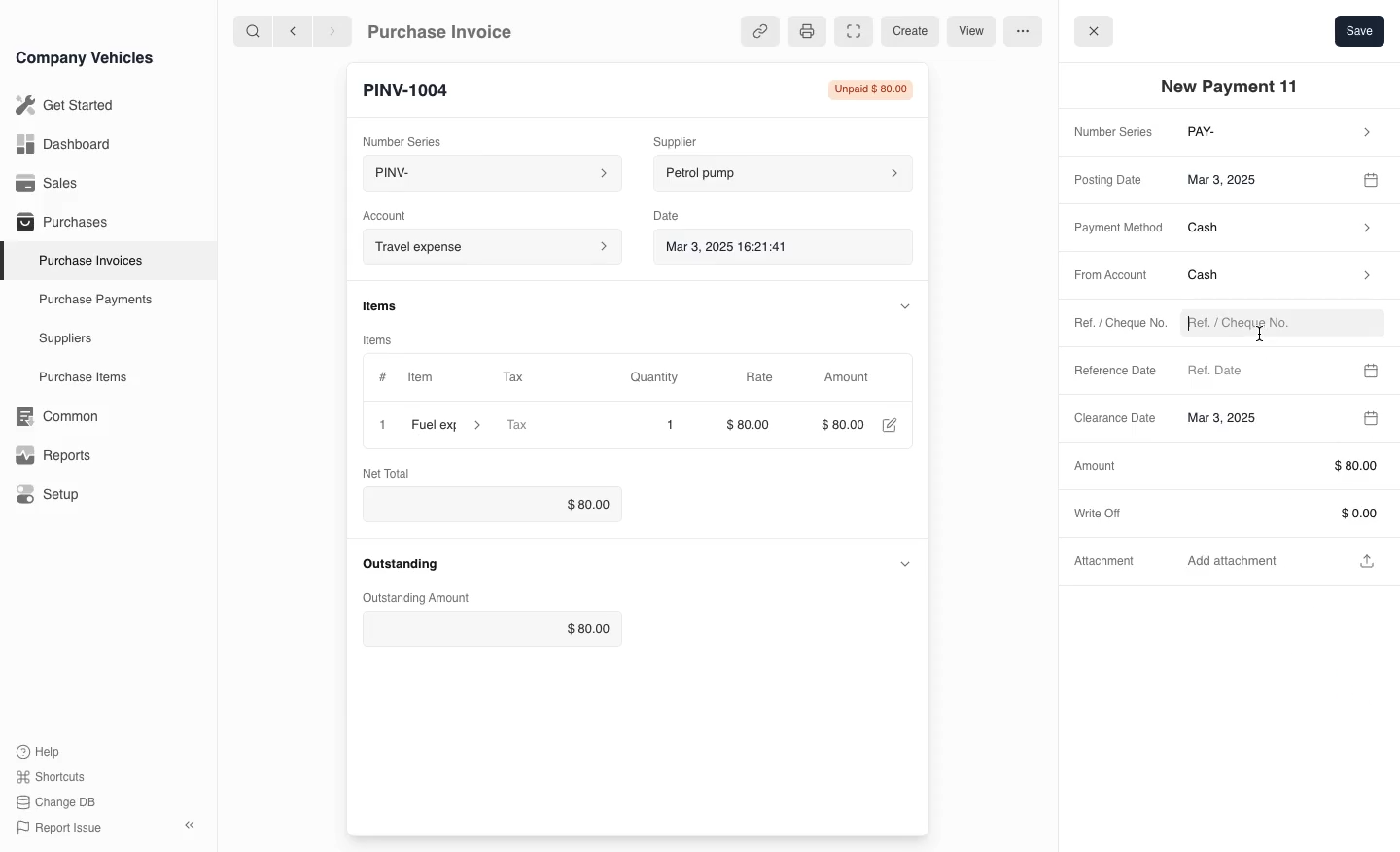 The height and width of the screenshot is (852, 1400). What do you see at coordinates (412, 598) in the screenshot?
I see `Outstanding Amount` at bounding box center [412, 598].